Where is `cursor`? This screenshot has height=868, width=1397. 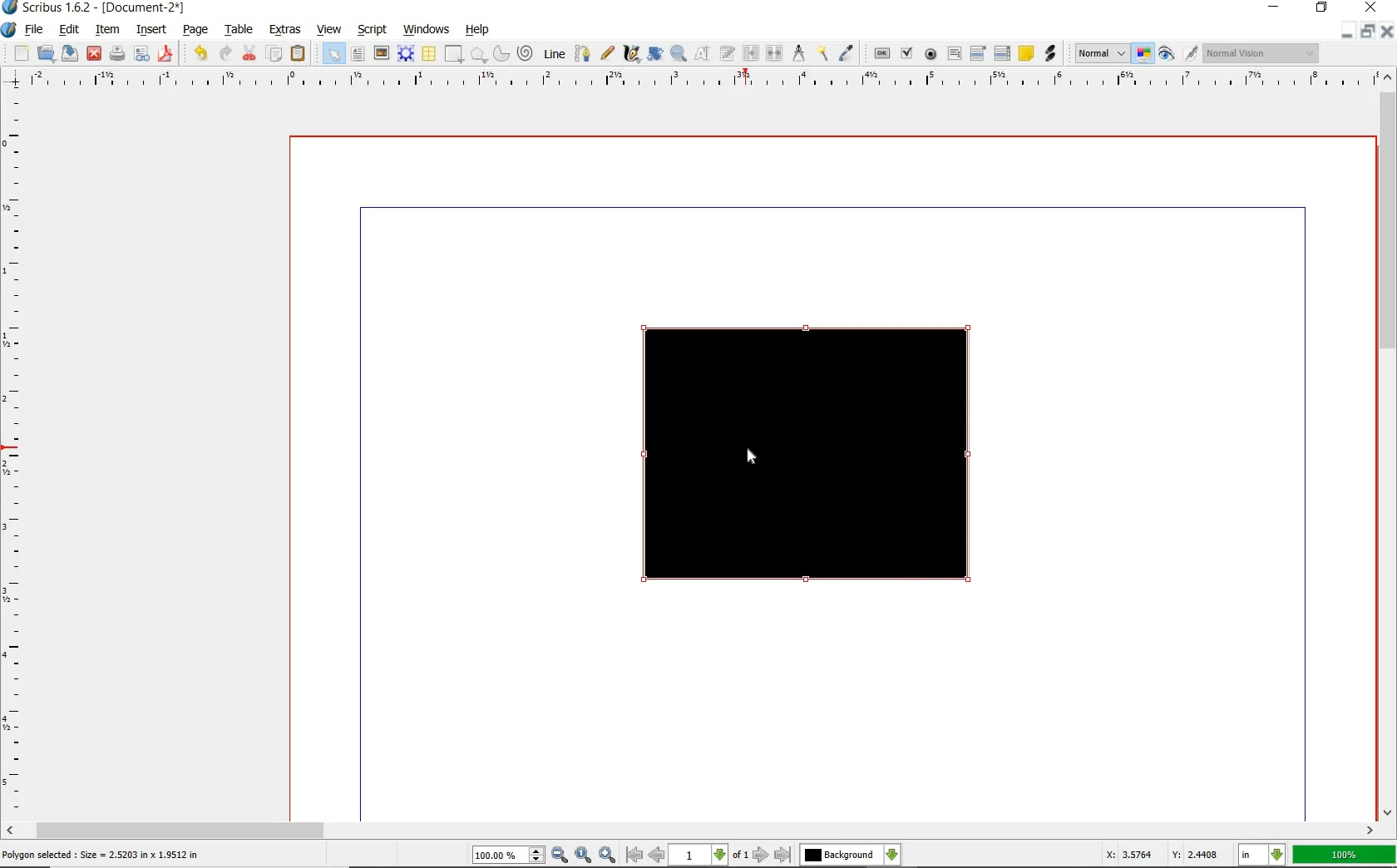 cursor is located at coordinates (749, 455).